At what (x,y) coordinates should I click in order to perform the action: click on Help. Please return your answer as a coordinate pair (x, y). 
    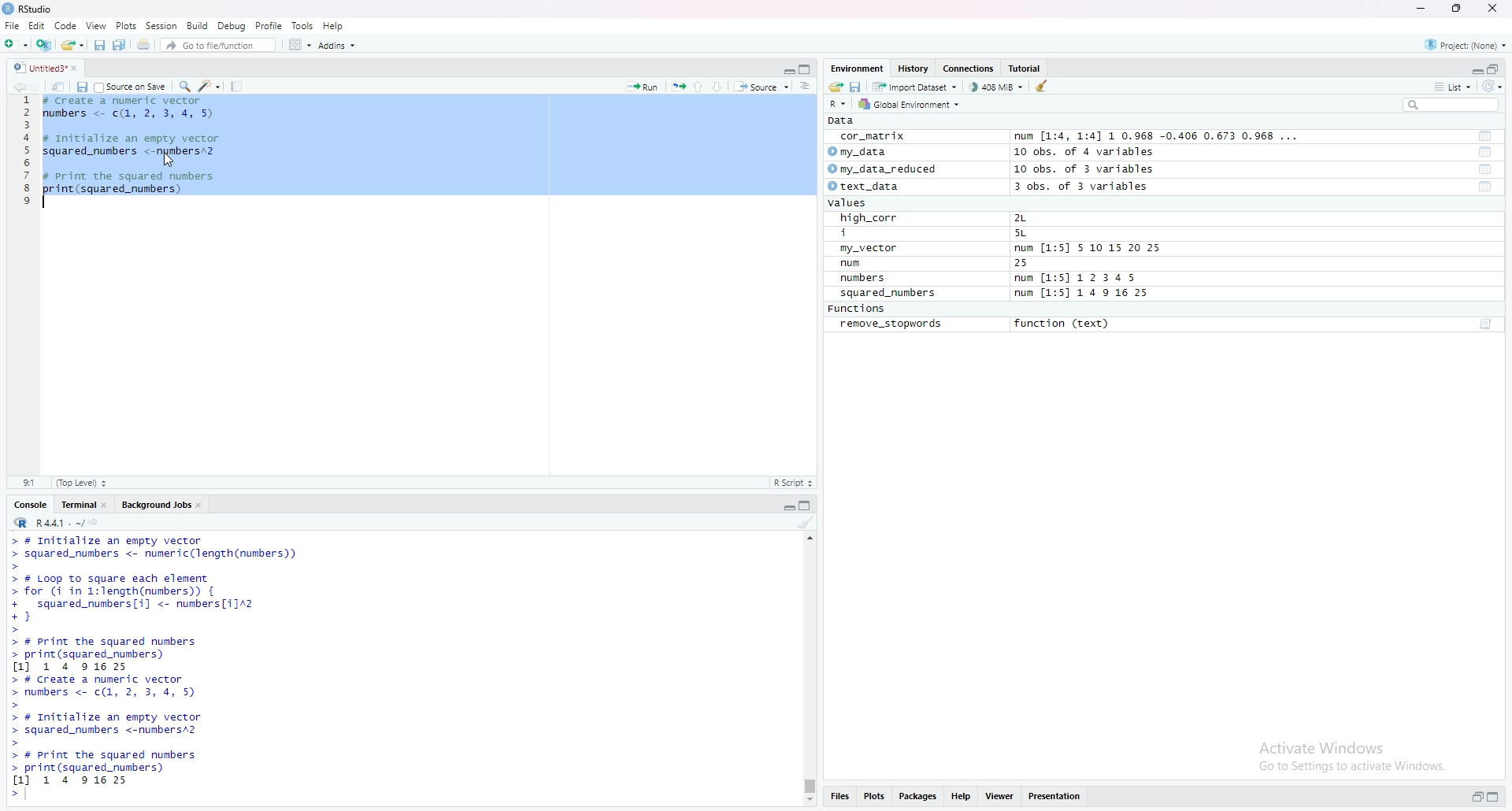
    Looking at the image, I should click on (334, 25).